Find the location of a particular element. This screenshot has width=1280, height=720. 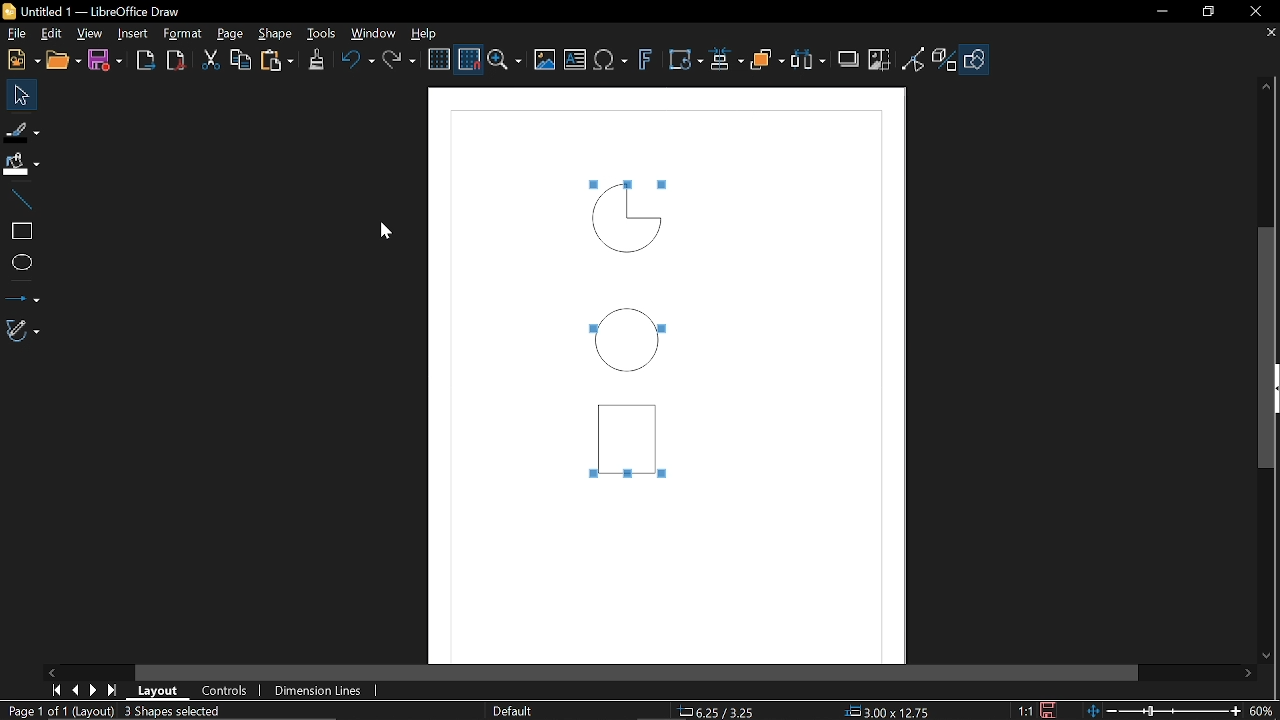

Lines and arrows is located at coordinates (25, 295).